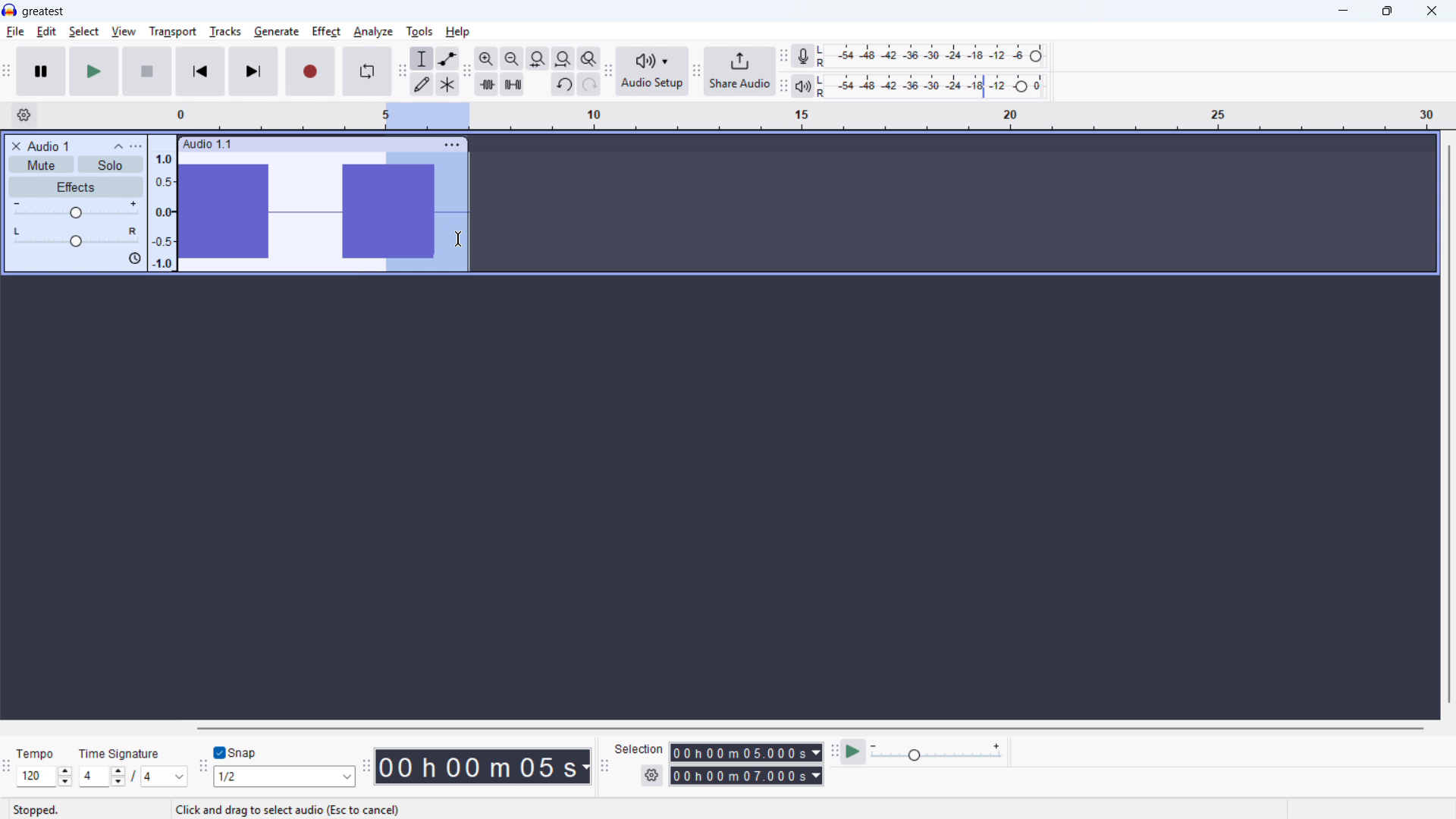  Describe the element at coordinates (111, 165) in the screenshot. I see `Solo ` at that location.